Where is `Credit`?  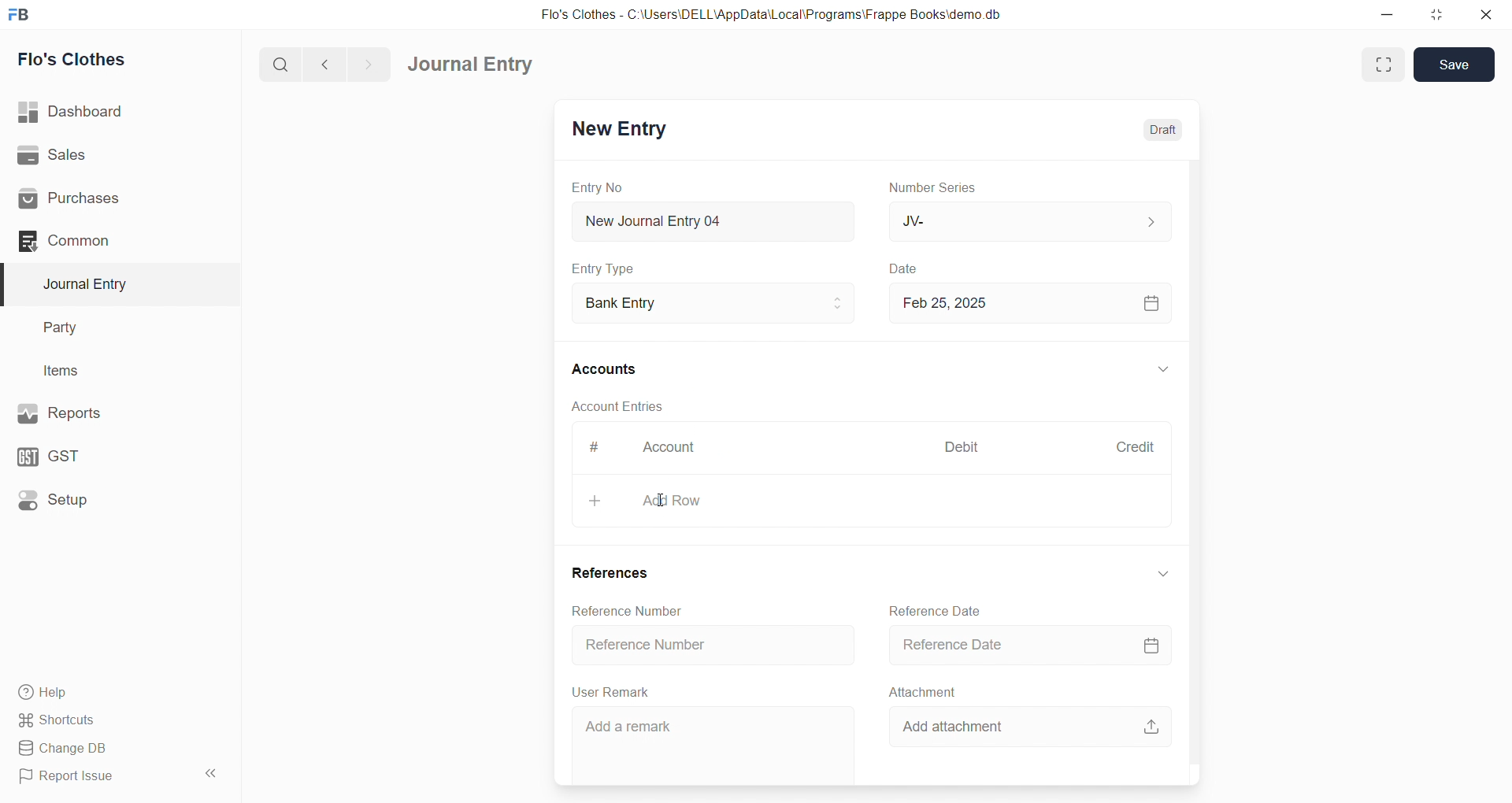
Credit is located at coordinates (1135, 447).